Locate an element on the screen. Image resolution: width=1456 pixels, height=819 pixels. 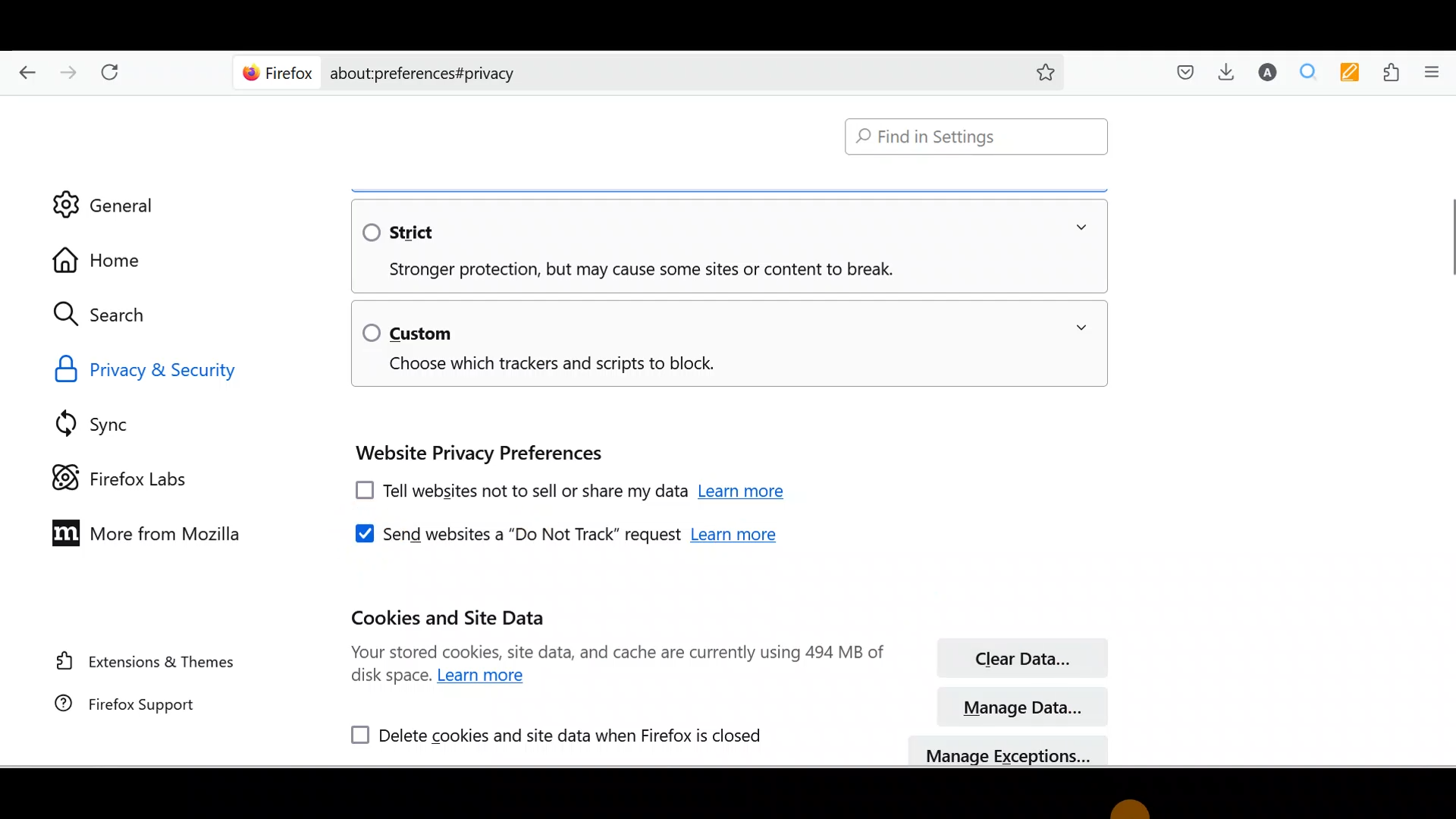
Strict is located at coordinates (412, 231).